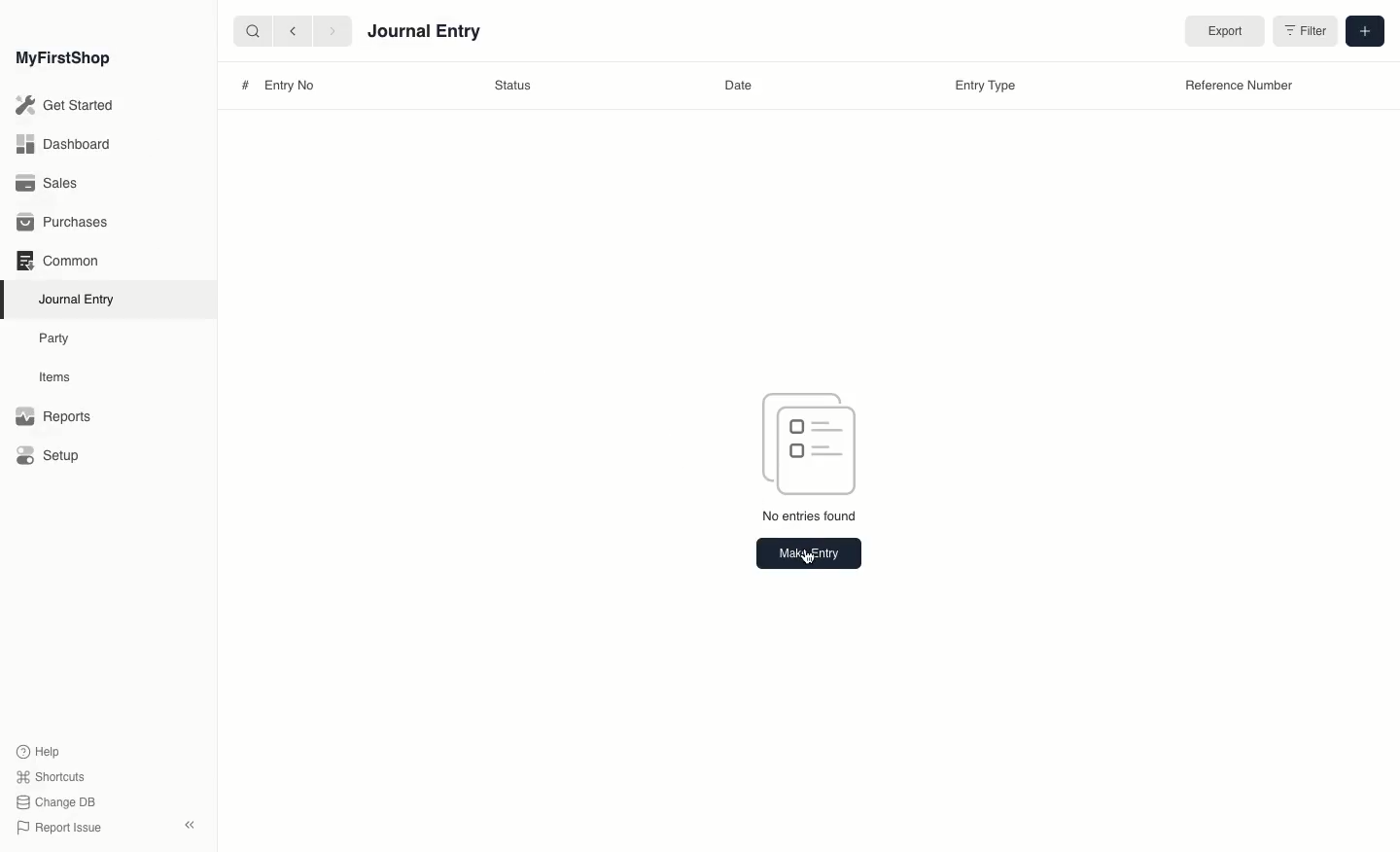  I want to click on Entry No, so click(279, 85).